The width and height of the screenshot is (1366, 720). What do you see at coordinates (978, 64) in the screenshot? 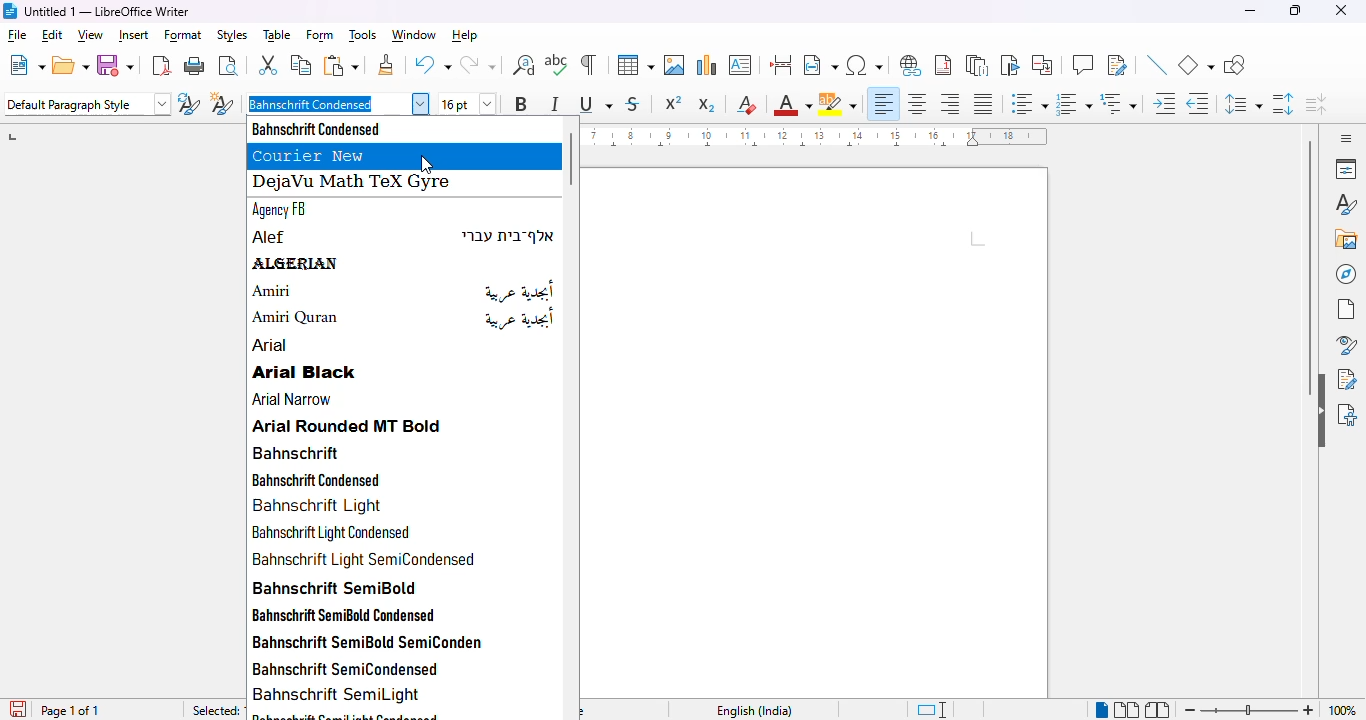
I see `insert endnote` at bounding box center [978, 64].